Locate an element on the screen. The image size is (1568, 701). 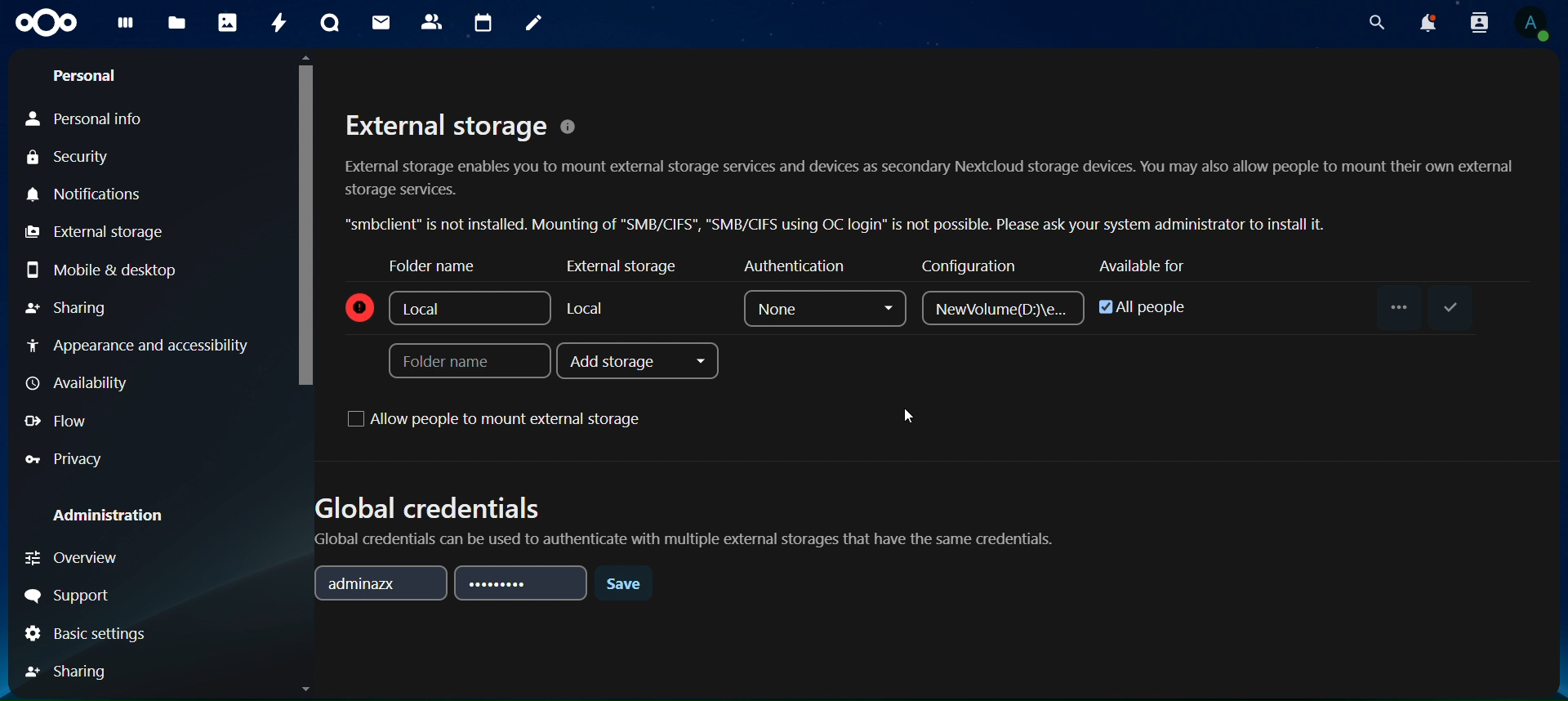
external storage is located at coordinates (612, 267).